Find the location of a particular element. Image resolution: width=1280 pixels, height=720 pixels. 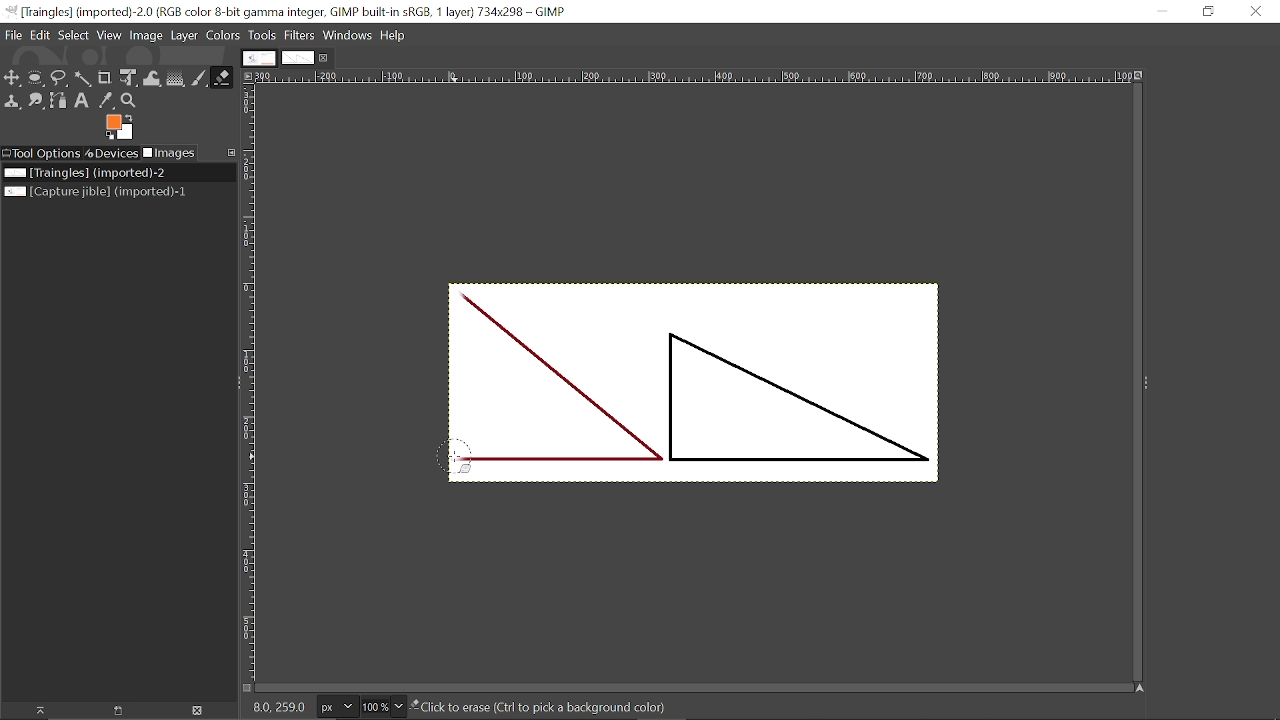

File is located at coordinates (13, 36).